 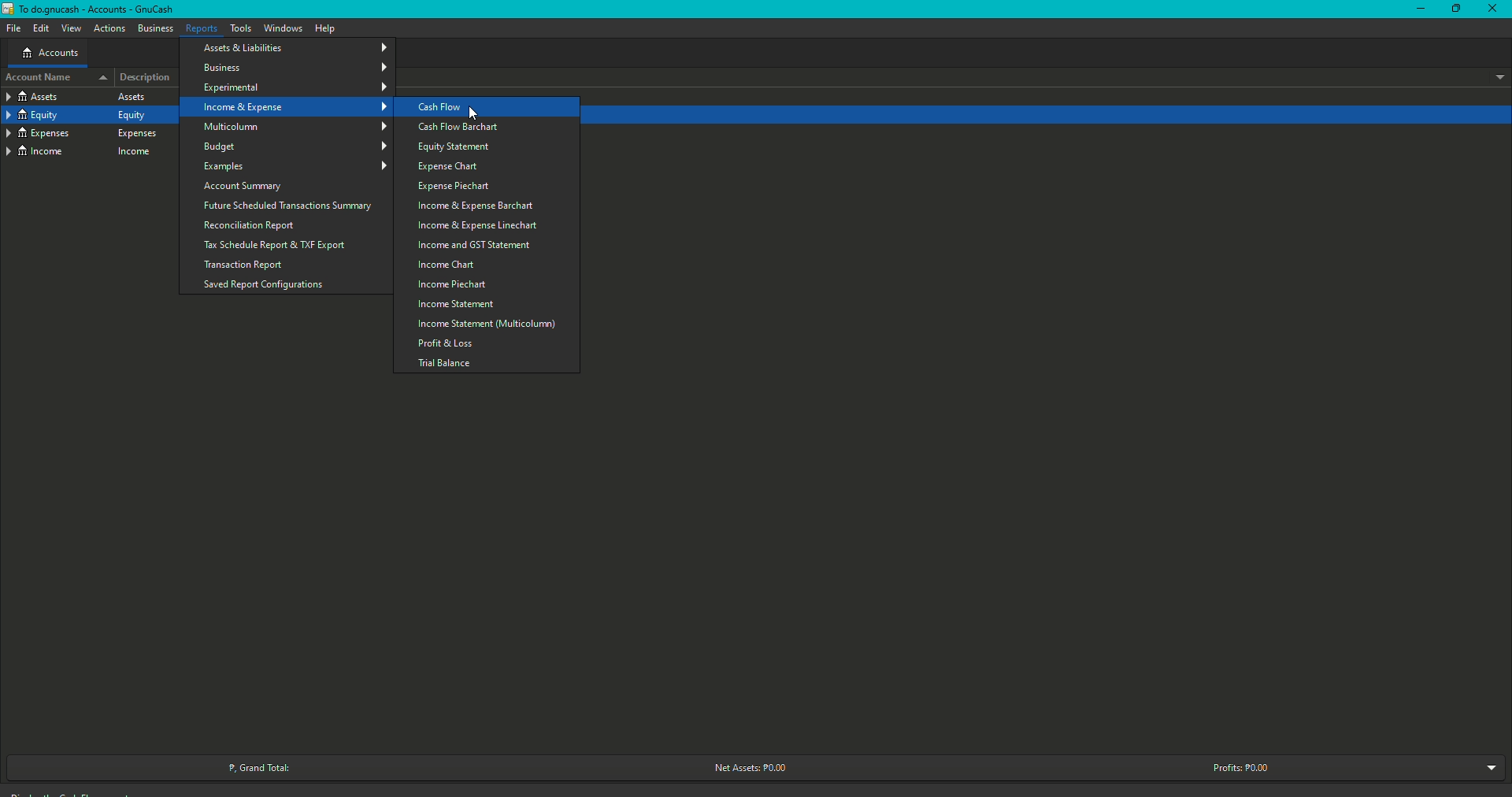 What do you see at coordinates (293, 206) in the screenshot?
I see `Future Scheduled Transactions Summary` at bounding box center [293, 206].